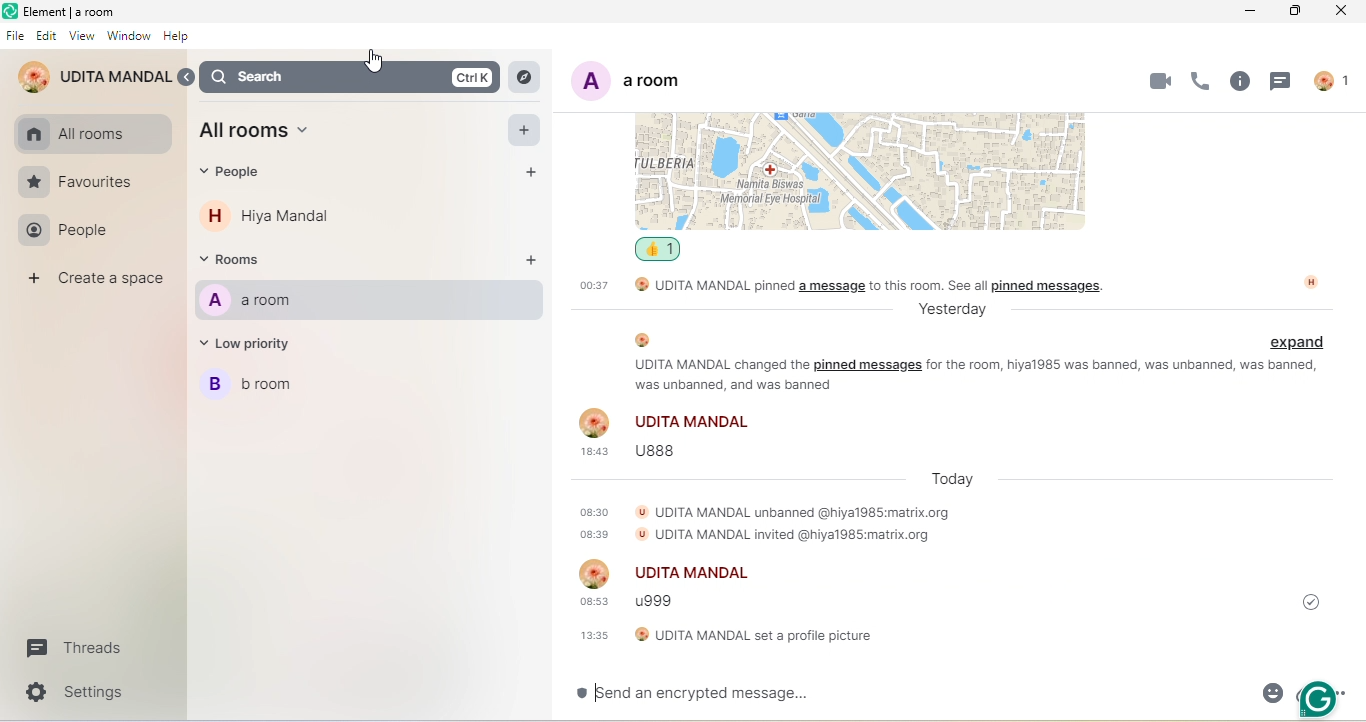 This screenshot has height=722, width=1366. I want to click on ~ Low priority, so click(259, 346).